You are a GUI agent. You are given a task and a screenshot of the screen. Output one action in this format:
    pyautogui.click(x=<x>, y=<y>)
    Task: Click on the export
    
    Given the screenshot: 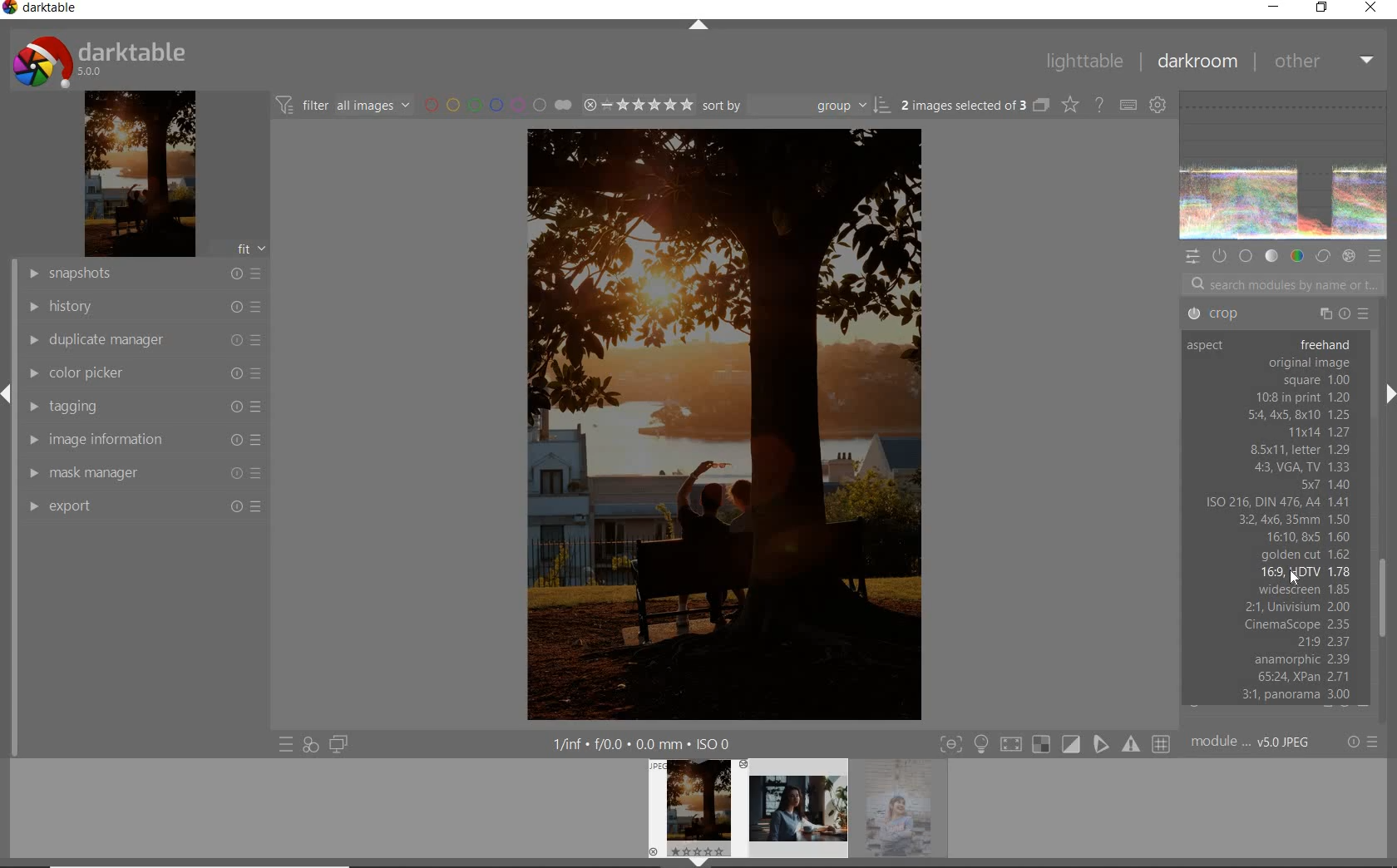 What is the action you would take?
    pyautogui.click(x=143, y=506)
    